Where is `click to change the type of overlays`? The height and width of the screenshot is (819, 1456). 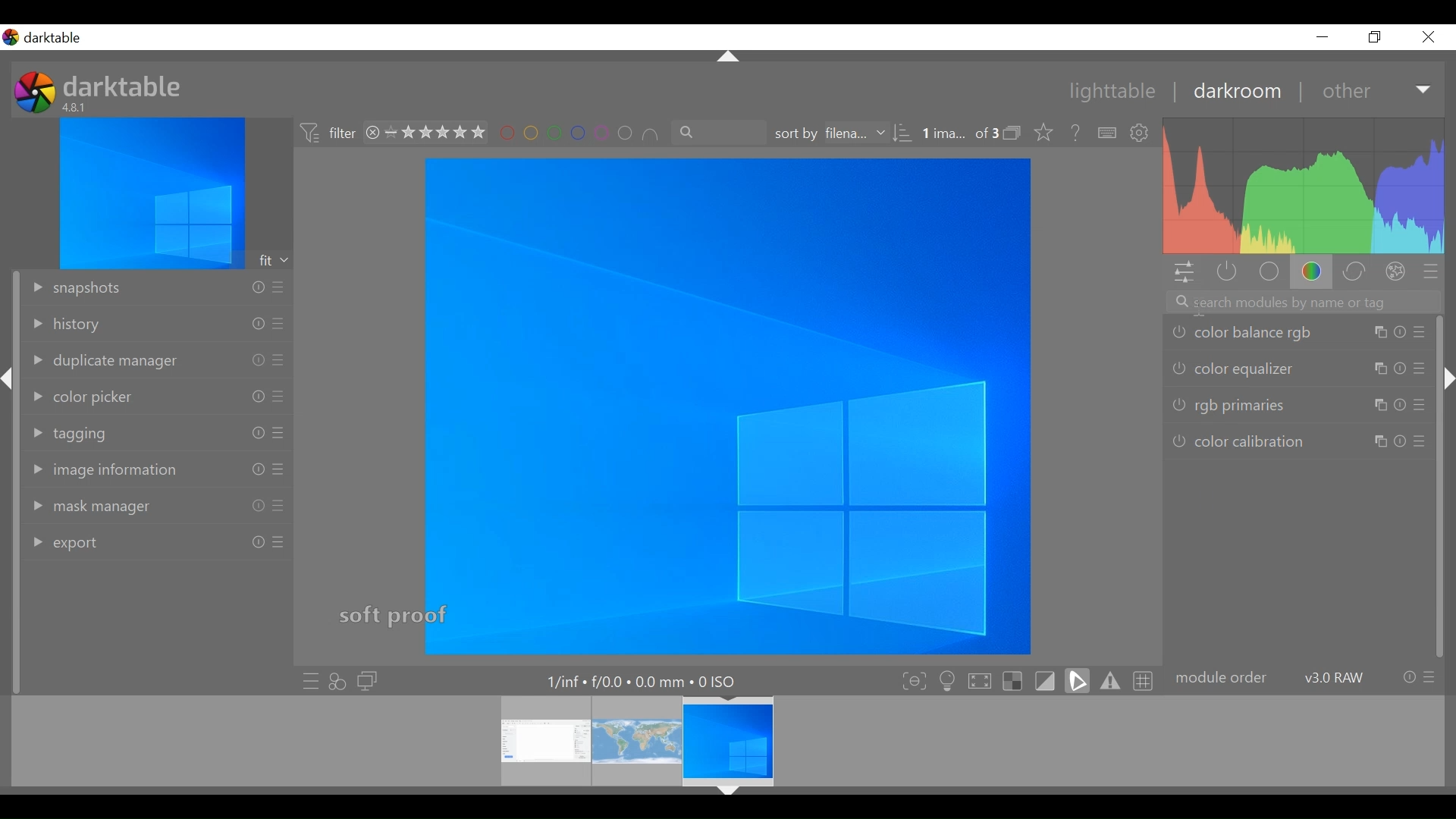 click to change the type of overlays is located at coordinates (1040, 131).